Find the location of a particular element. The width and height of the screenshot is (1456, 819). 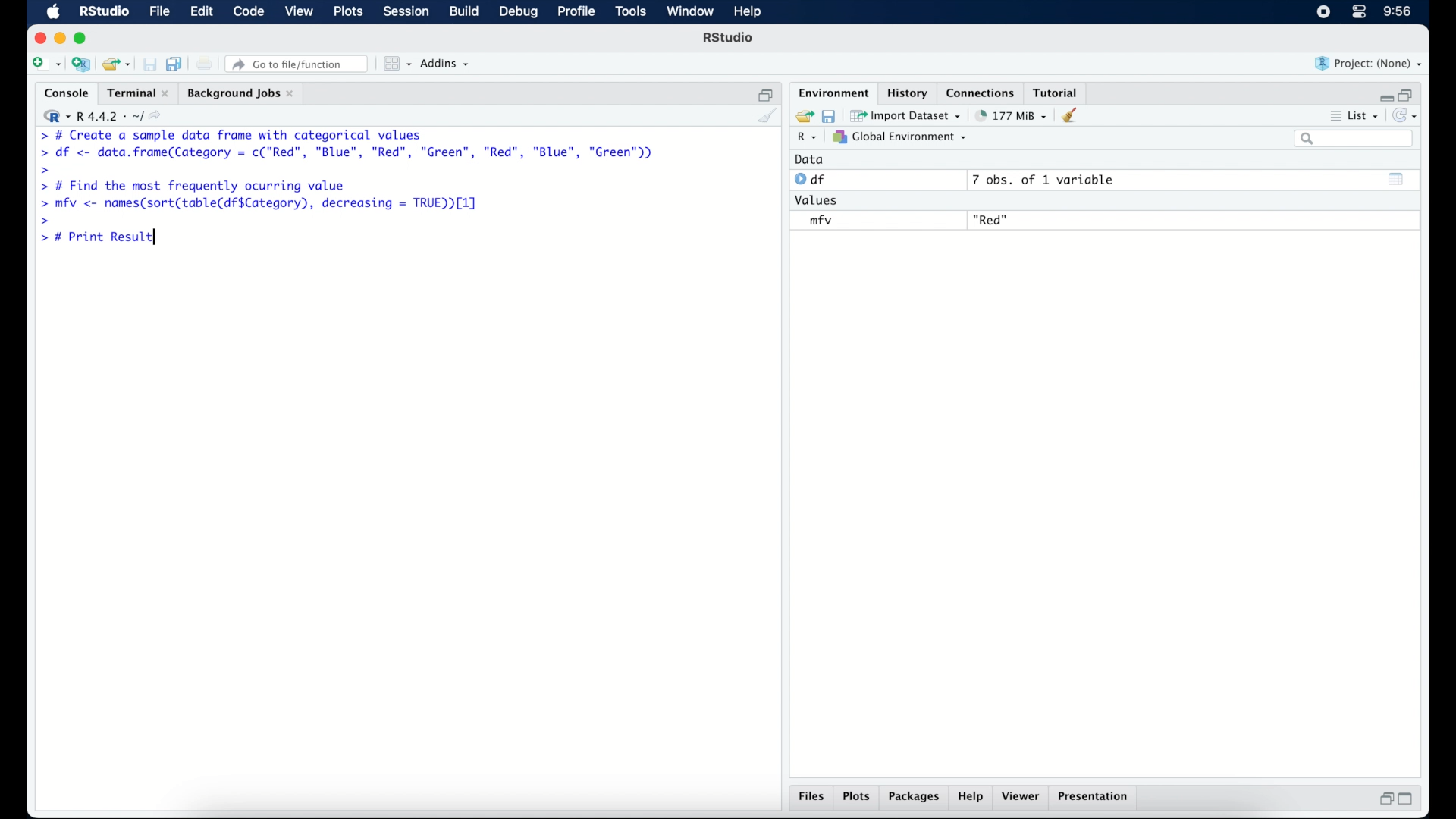

restore down is located at coordinates (1384, 799).